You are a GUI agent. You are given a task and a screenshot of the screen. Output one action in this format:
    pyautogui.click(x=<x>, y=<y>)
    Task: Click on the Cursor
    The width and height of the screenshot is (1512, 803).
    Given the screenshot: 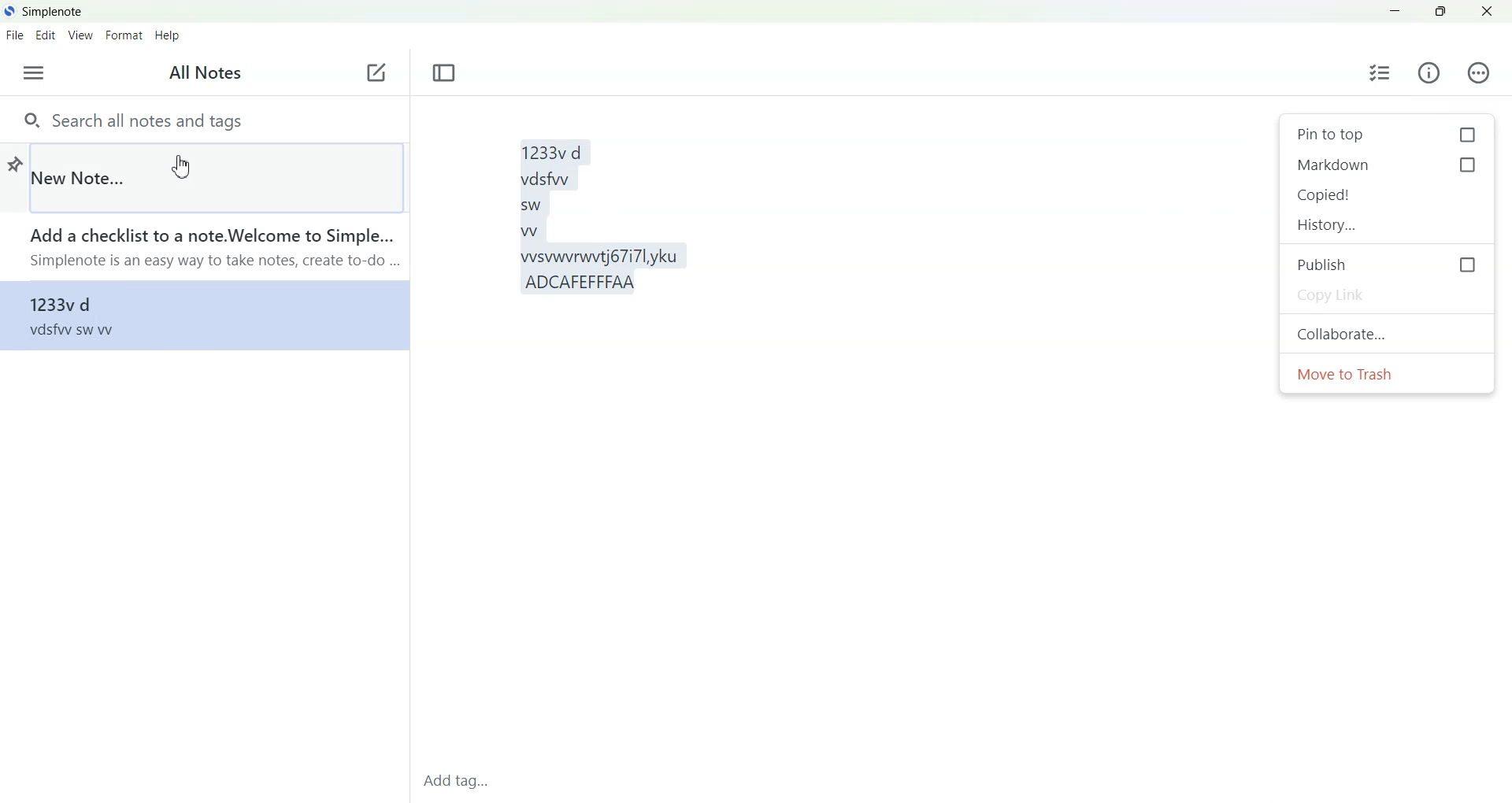 What is the action you would take?
    pyautogui.click(x=180, y=168)
    